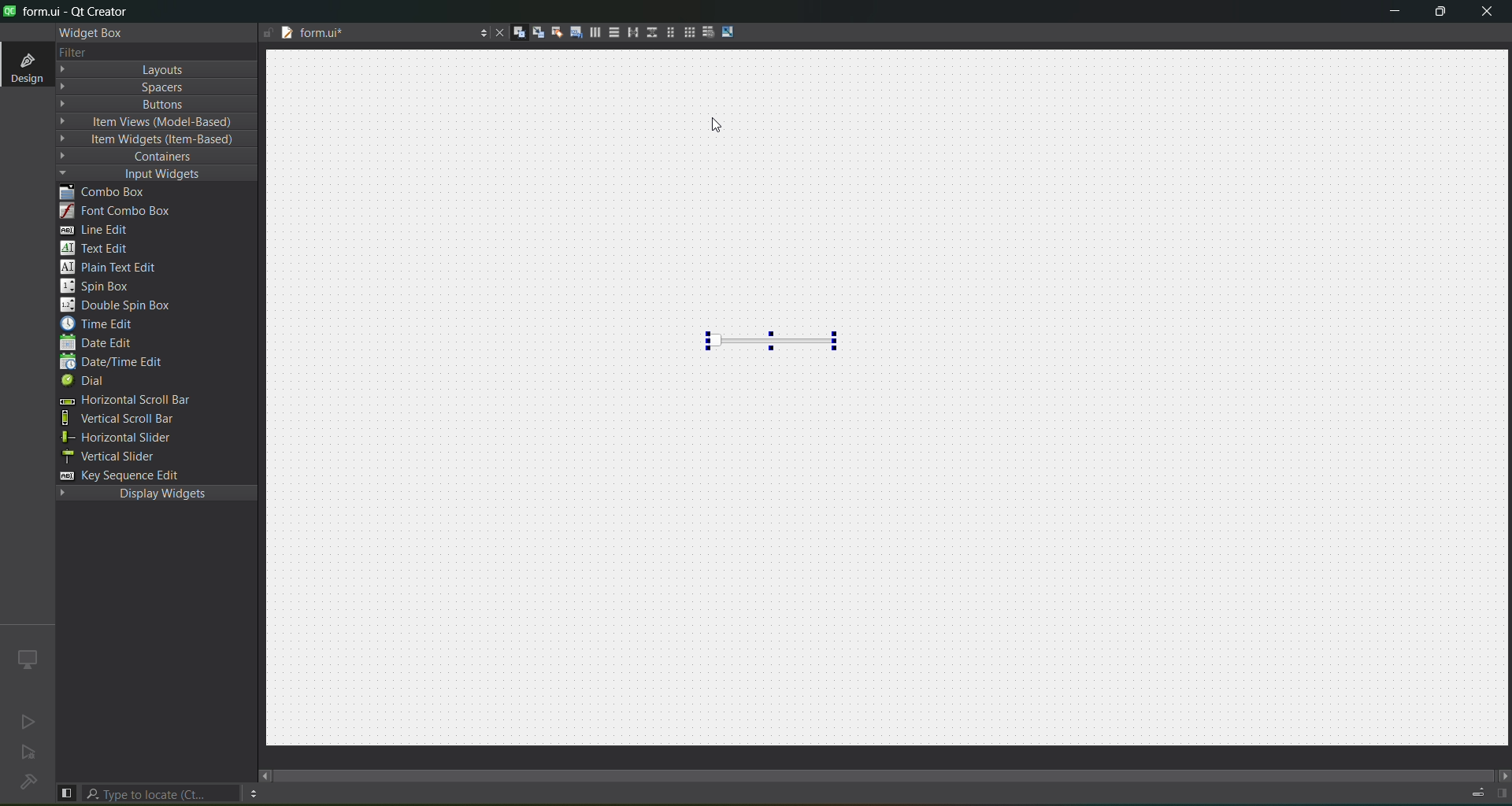  What do you see at coordinates (142, 173) in the screenshot?
I see `input widgets` at bounding box center [142, 173].